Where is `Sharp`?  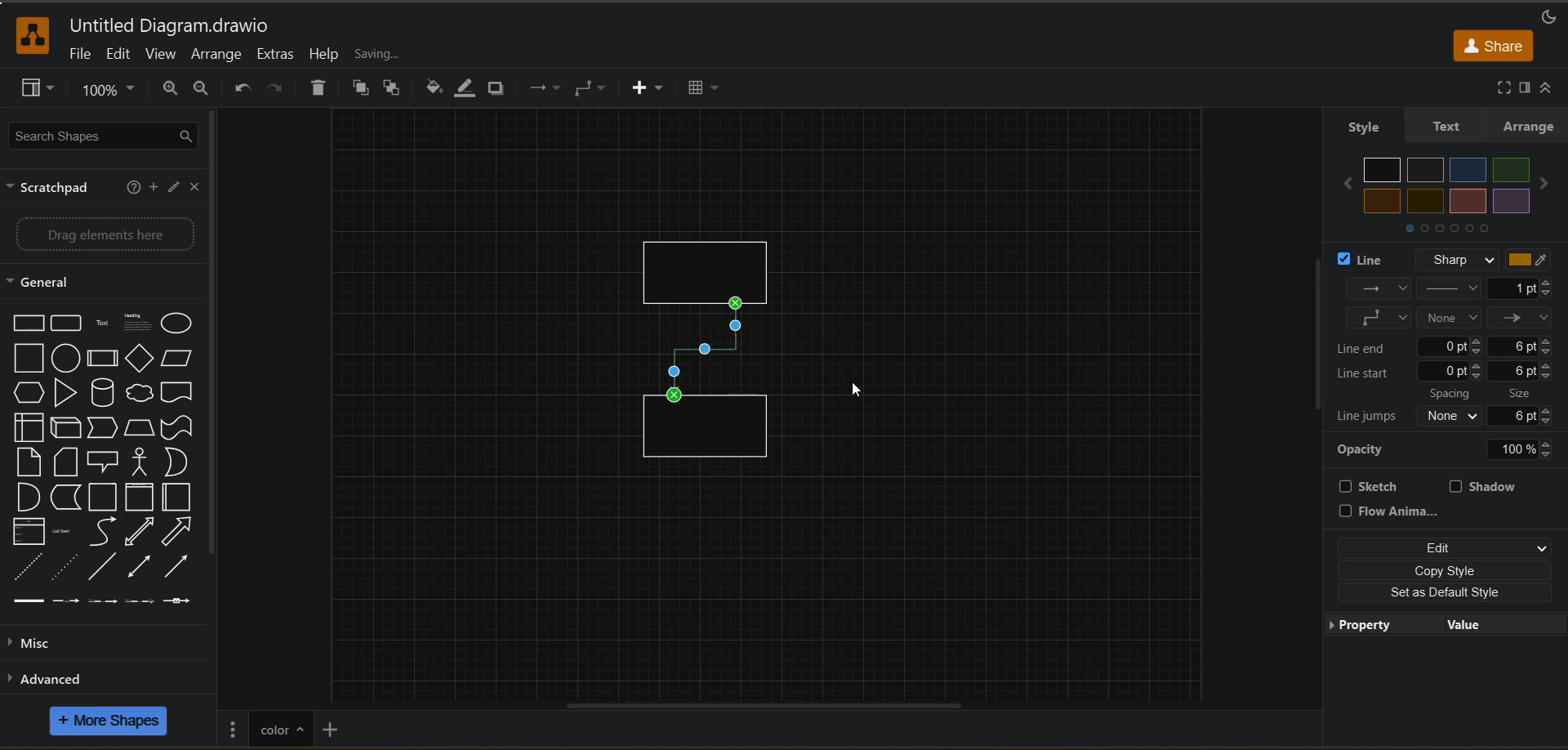
Sharp is located at coordinates (1454, 259).